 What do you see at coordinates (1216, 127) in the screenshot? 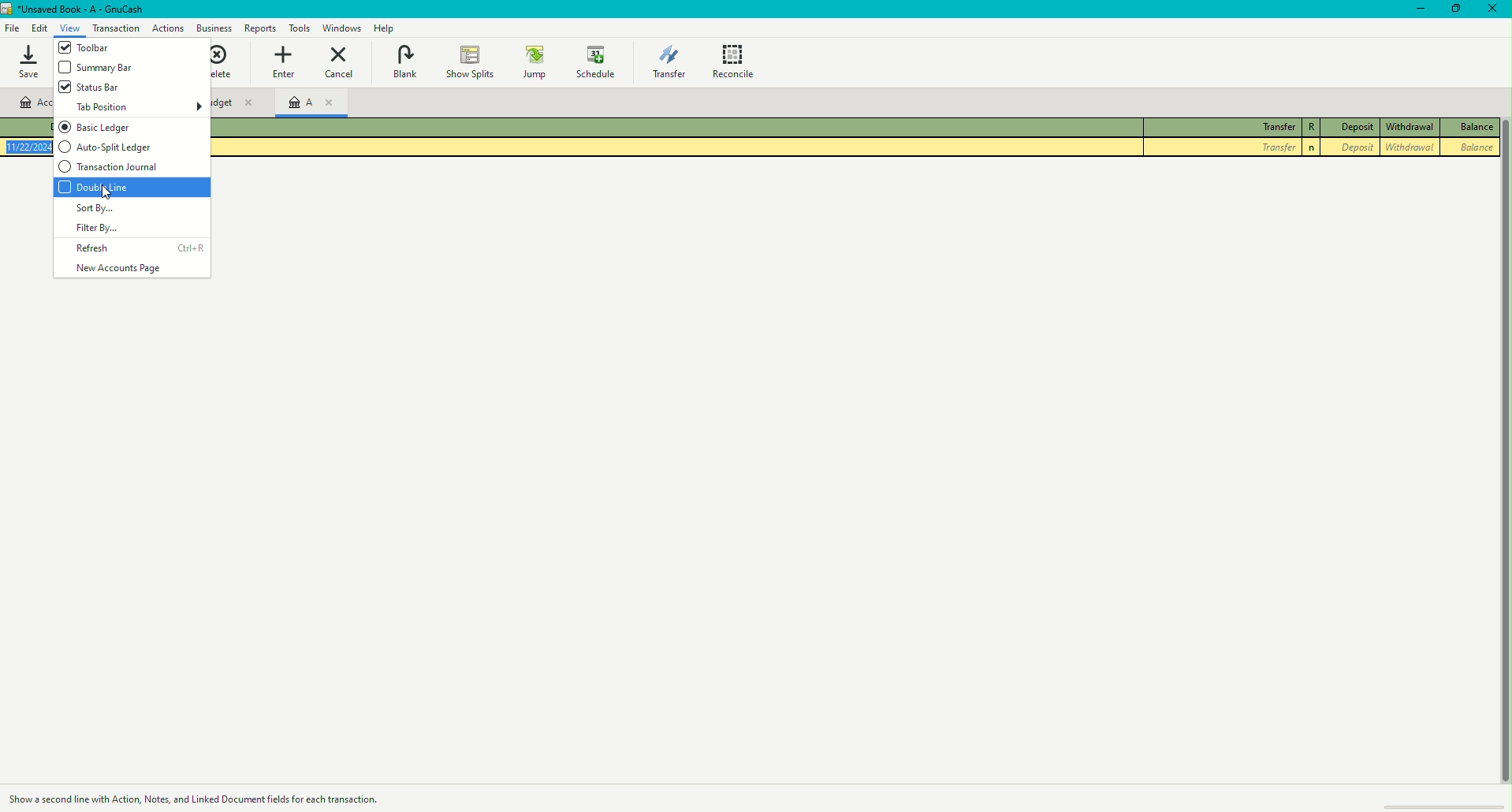
I see `Transfer` at bounding box center [1216, 127].